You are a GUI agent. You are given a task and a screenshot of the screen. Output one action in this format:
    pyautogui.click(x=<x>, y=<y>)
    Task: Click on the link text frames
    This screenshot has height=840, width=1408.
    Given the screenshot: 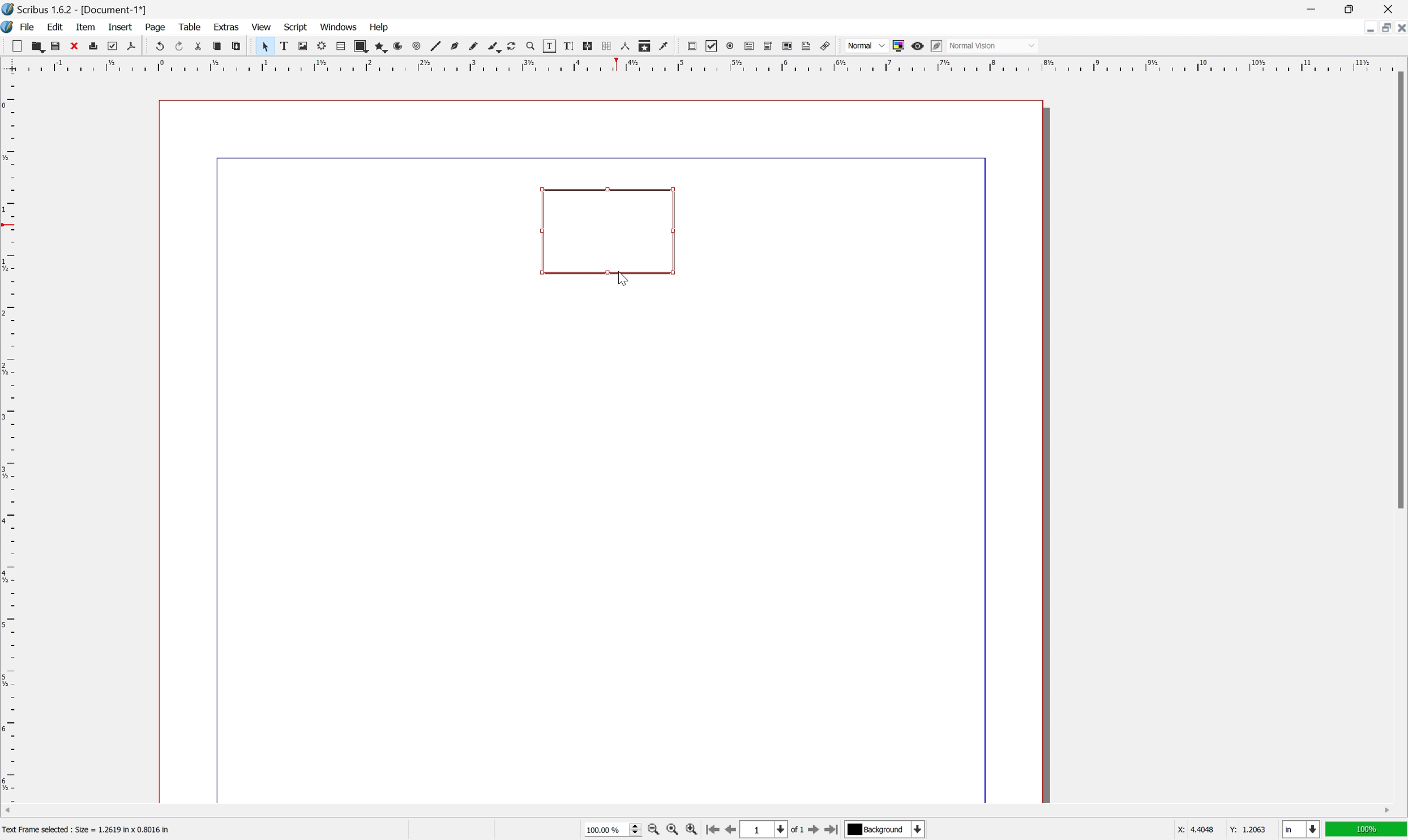 What is the action you would take?
    pyautogui.click(x=588, y=45)
    